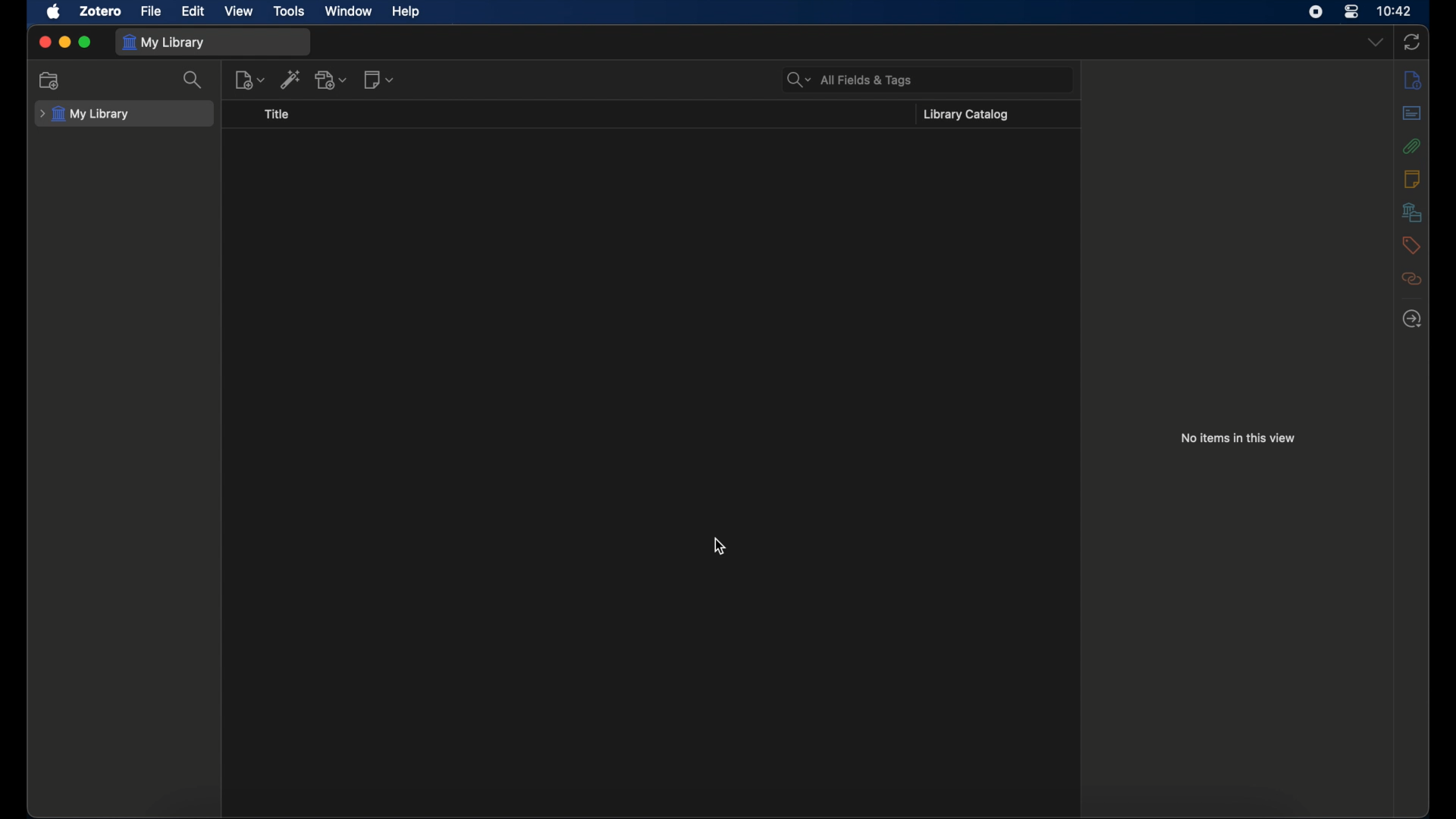 This screenshot has width=1456, height=819. What do you see at coordinates (1412, 42) in the screenshot?
I see `sync` at bounding box center [1412, 42].